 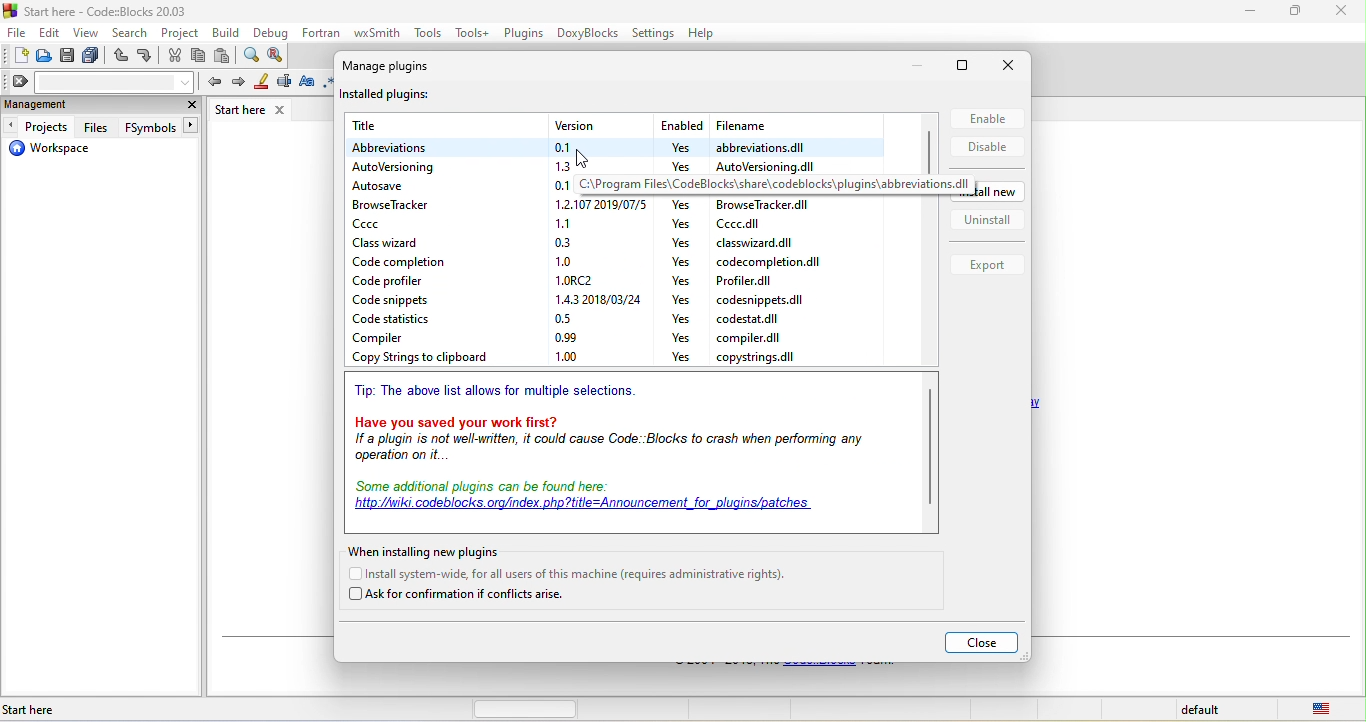 What do you see at coordinates (598, 206) in the screenshot?
I see `date` at bounding box center [598, 206].